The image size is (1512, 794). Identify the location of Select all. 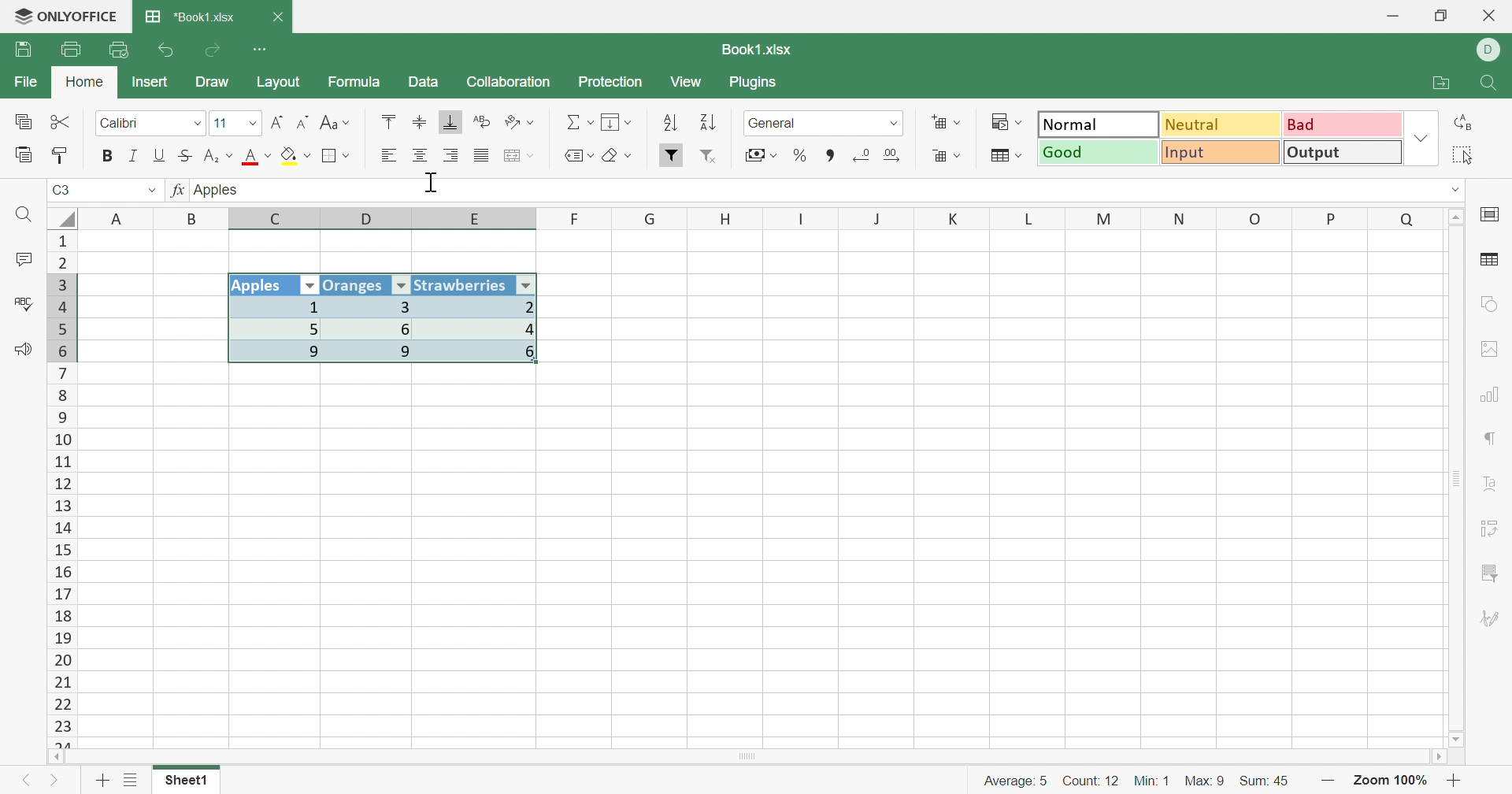
(1469, 155).